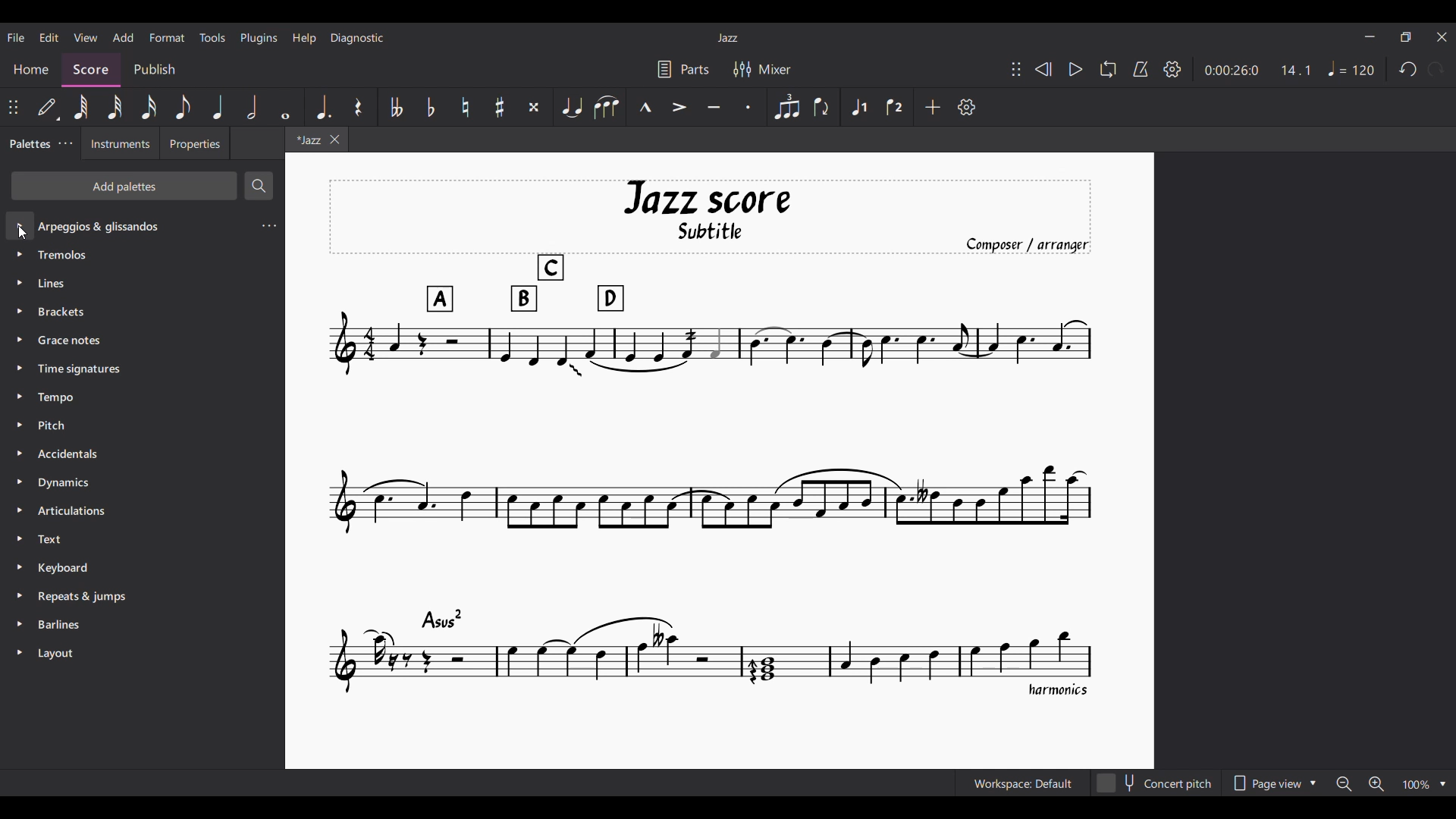 The width and height of the screenshot is (1456, 819). What do you see at coordinates (859, 106) in the screenshot?
I see `Voice 1` at bounding box center [859, 106].